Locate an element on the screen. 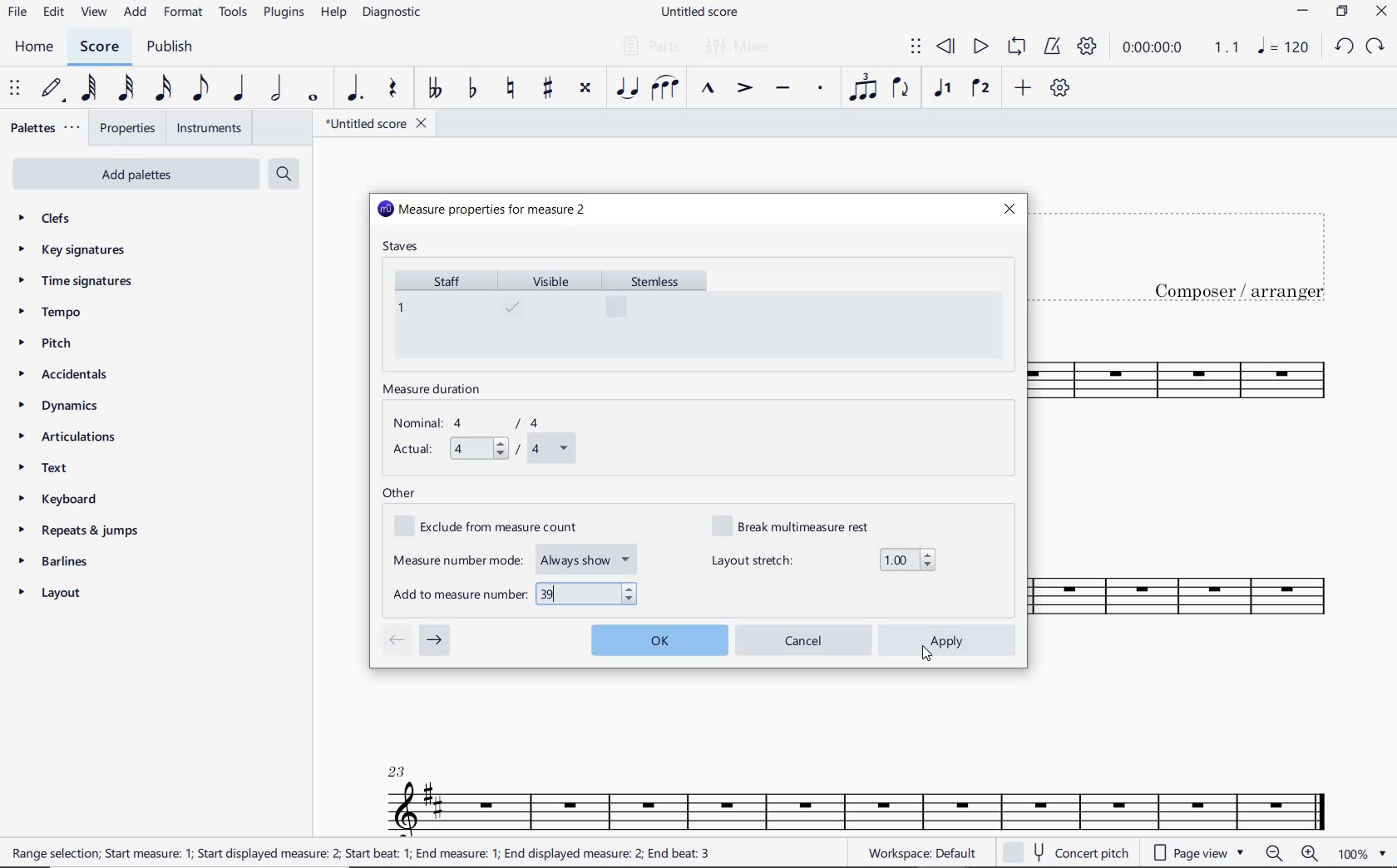 The width and height of the screenshot is (1397, 868). TOGGLE SHARP is located at coordinates (549, 88).